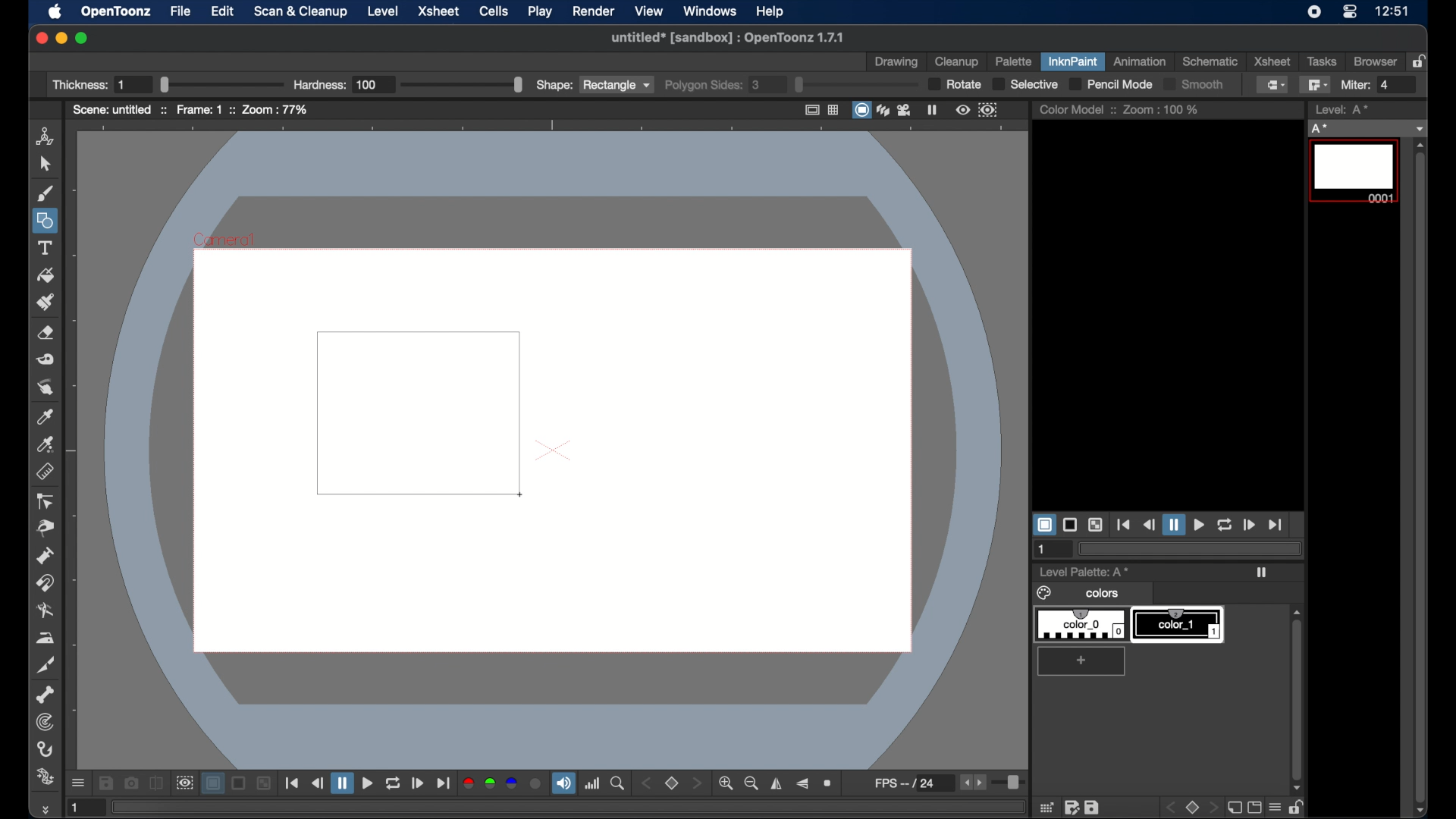 The width and height of the screenshot is (1456, 819). Describe the element at coordinates (45, 749) in the screenshot. I see `hook tool` at that location.